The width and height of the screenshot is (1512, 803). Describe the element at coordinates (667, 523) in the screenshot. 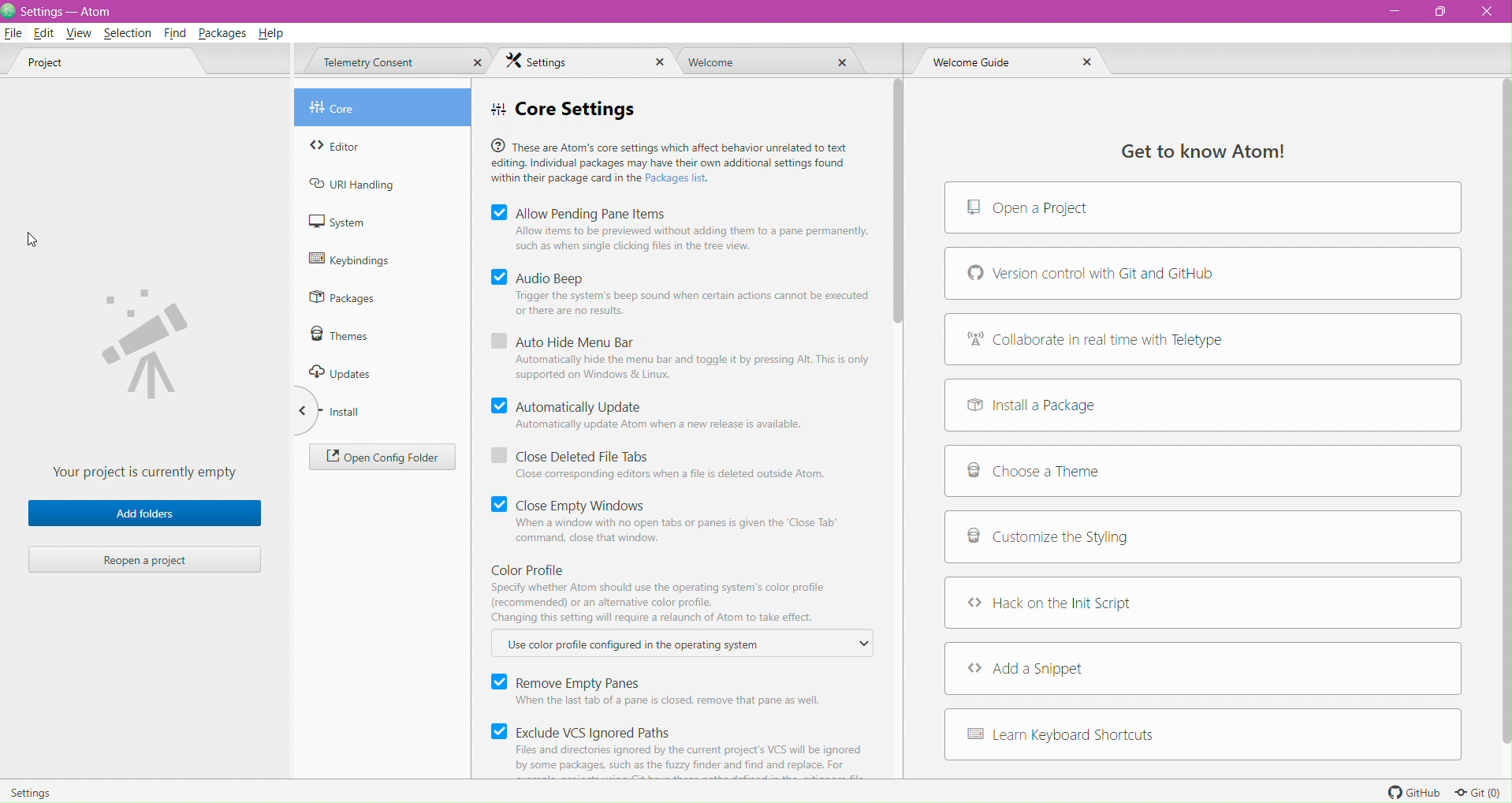

I see `Close Empty Windows | When a window with no open tabs or panes is given the 'Close Tab' command, close that window.` at that location.